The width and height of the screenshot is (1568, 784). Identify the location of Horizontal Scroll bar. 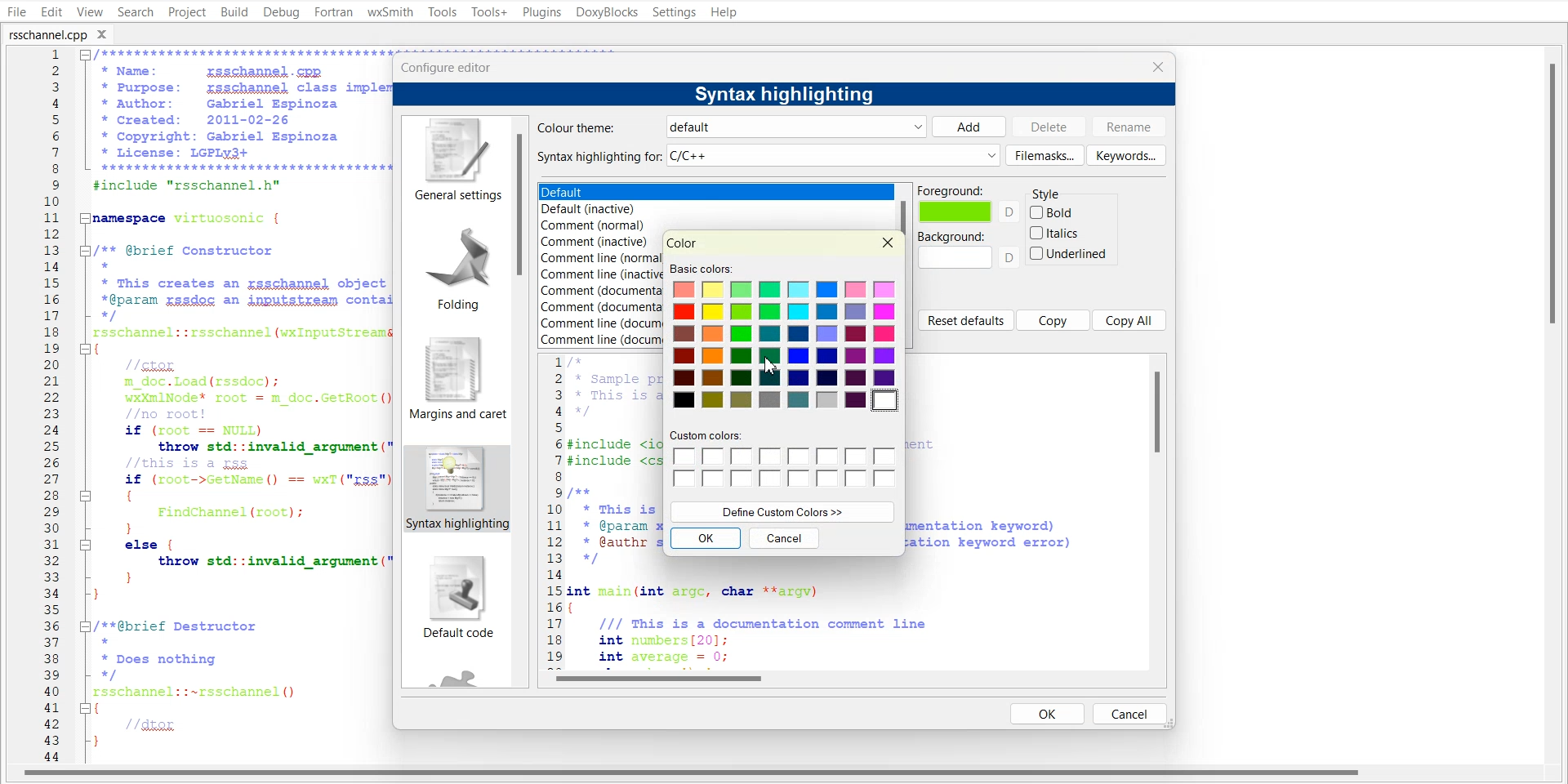
(694, 775).